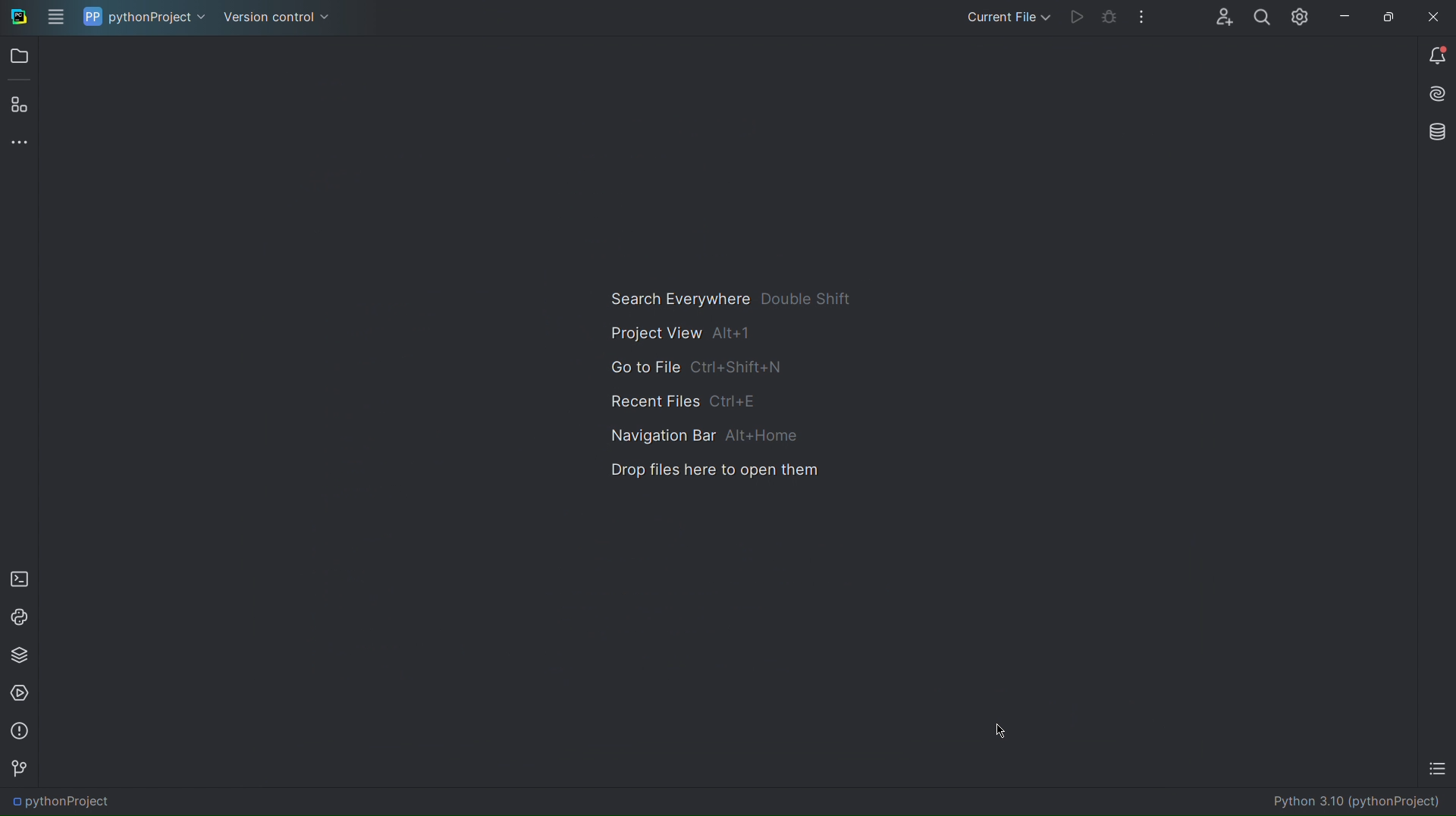 This screenshot has width=1456, height=816. Describe the element at coordinates (1259, 17) in the screenshot. I see `Search` at that location.